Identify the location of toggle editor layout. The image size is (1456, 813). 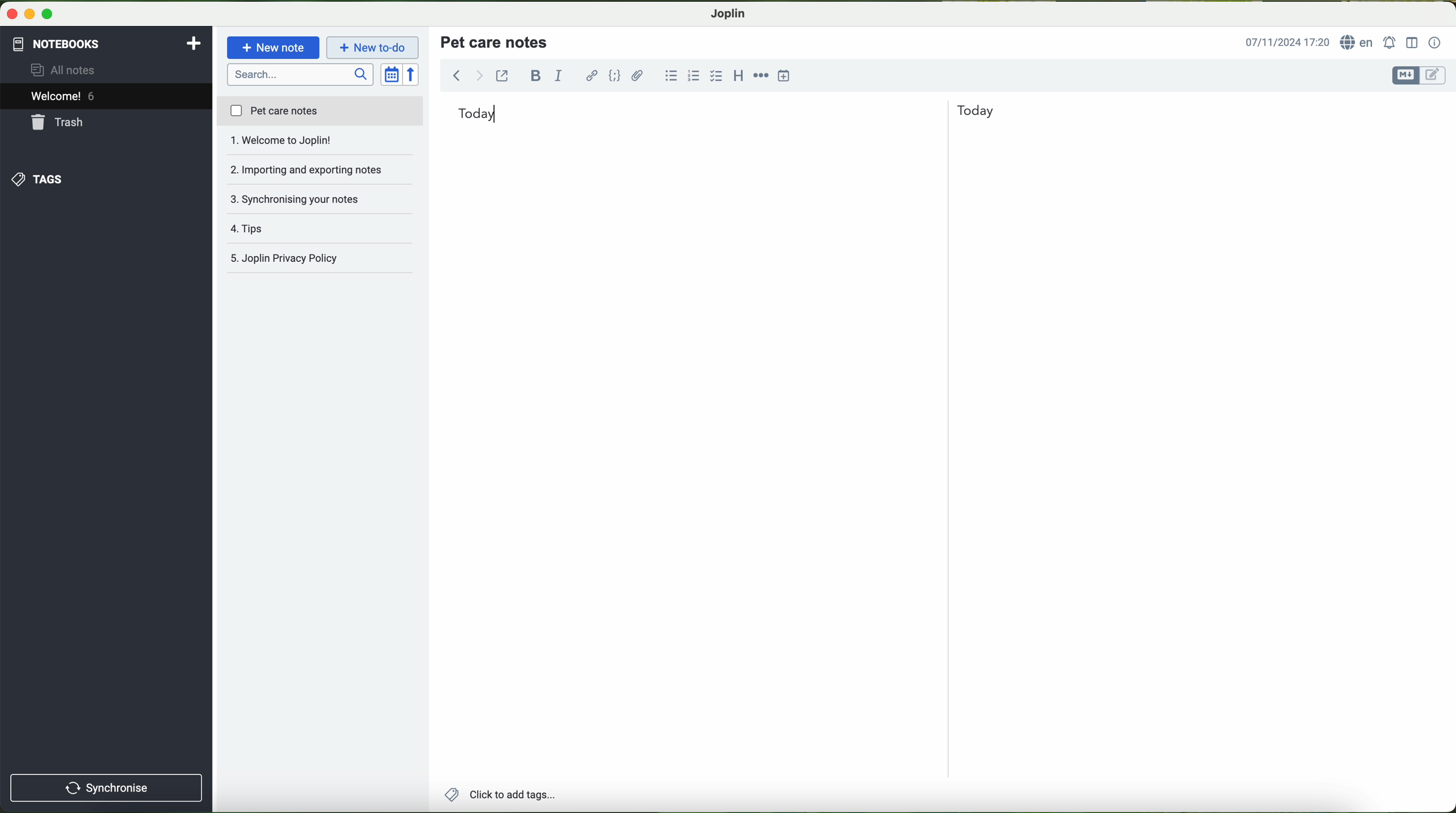
(1412, 42).